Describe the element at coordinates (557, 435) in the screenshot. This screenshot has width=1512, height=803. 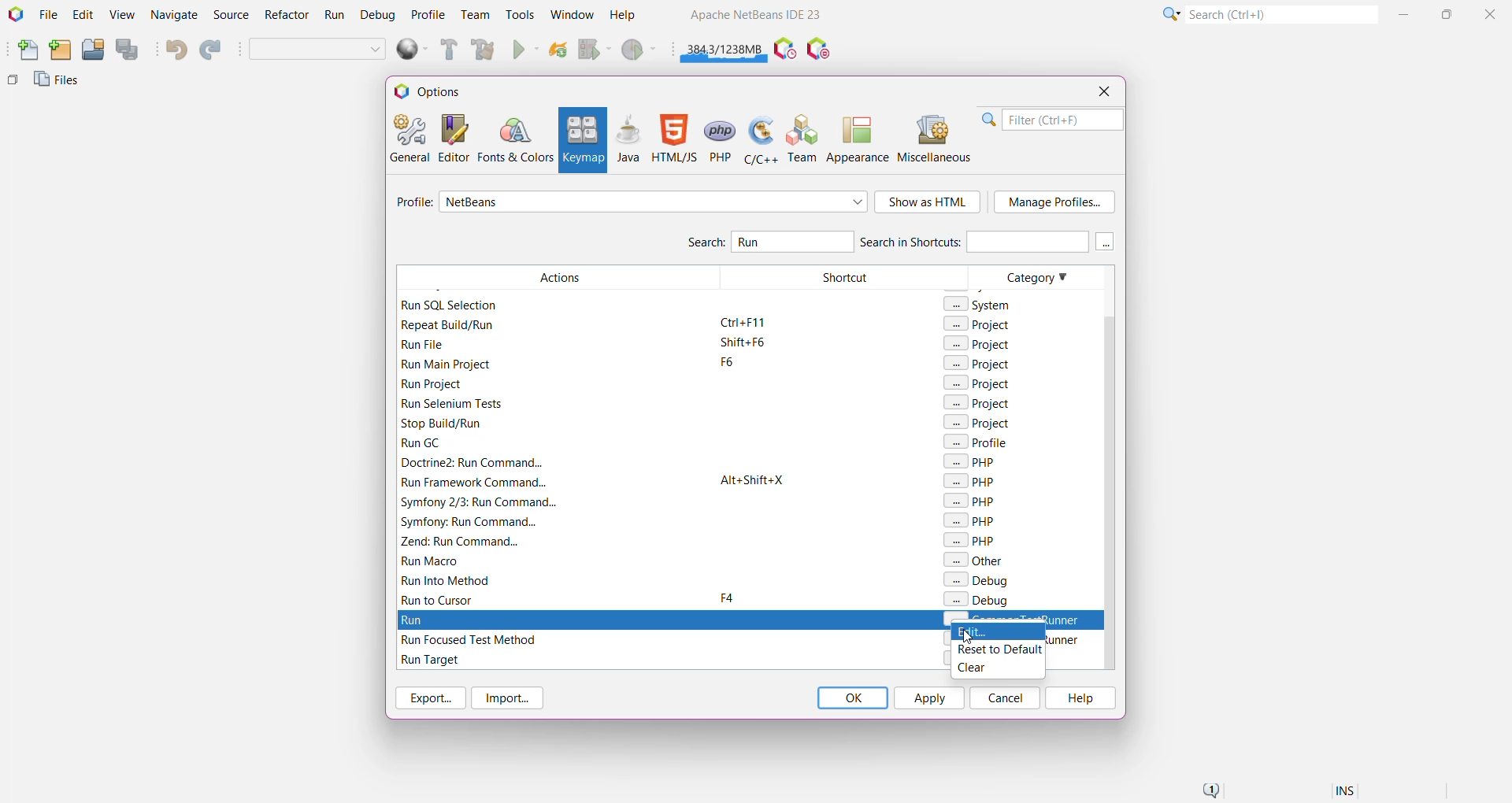
I see `Filtered Actions with Run keyword` at that location.